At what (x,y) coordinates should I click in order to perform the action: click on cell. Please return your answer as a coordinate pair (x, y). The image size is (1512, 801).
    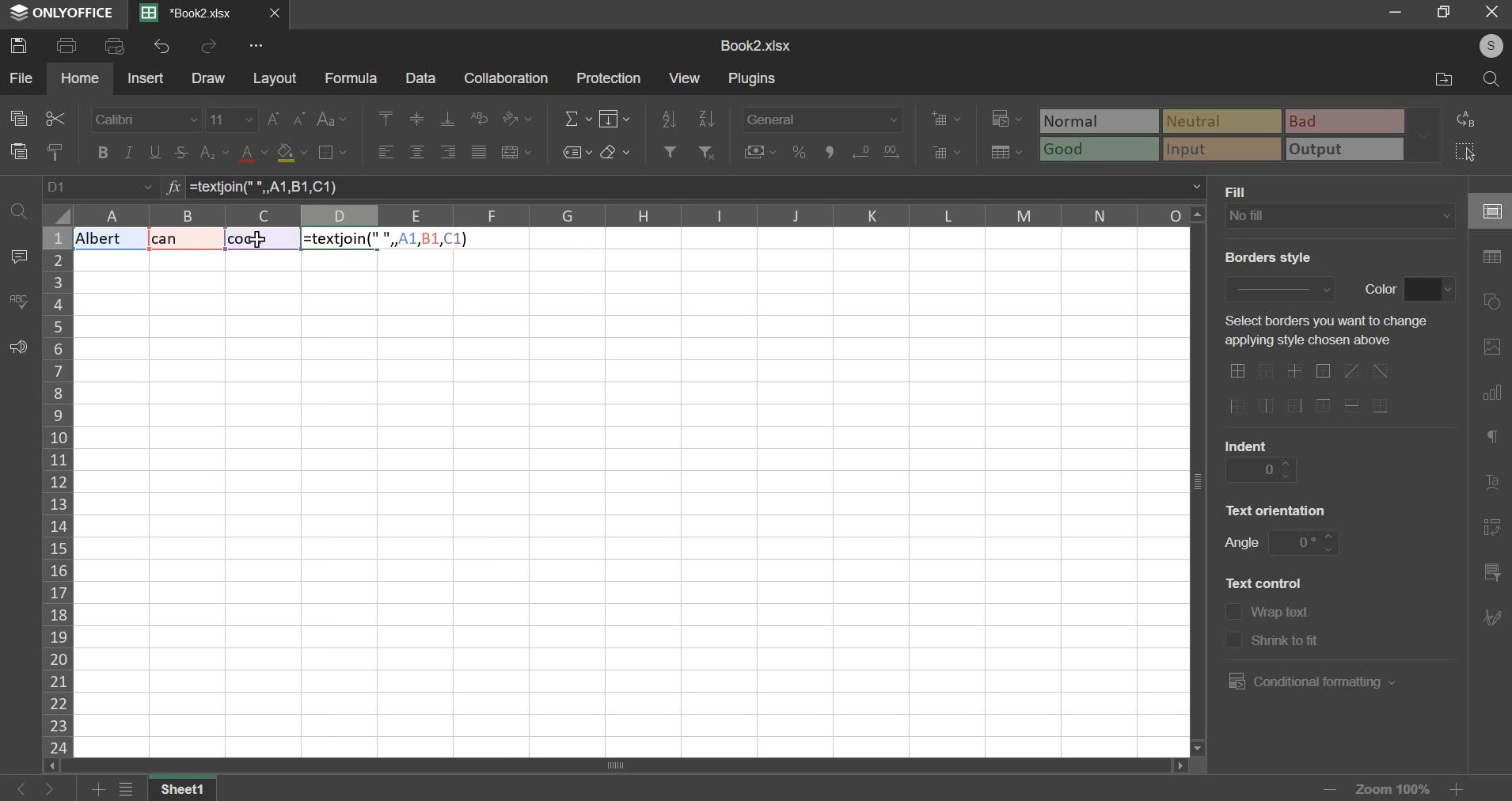
    Looking at the image, I should click on (1490, 212).